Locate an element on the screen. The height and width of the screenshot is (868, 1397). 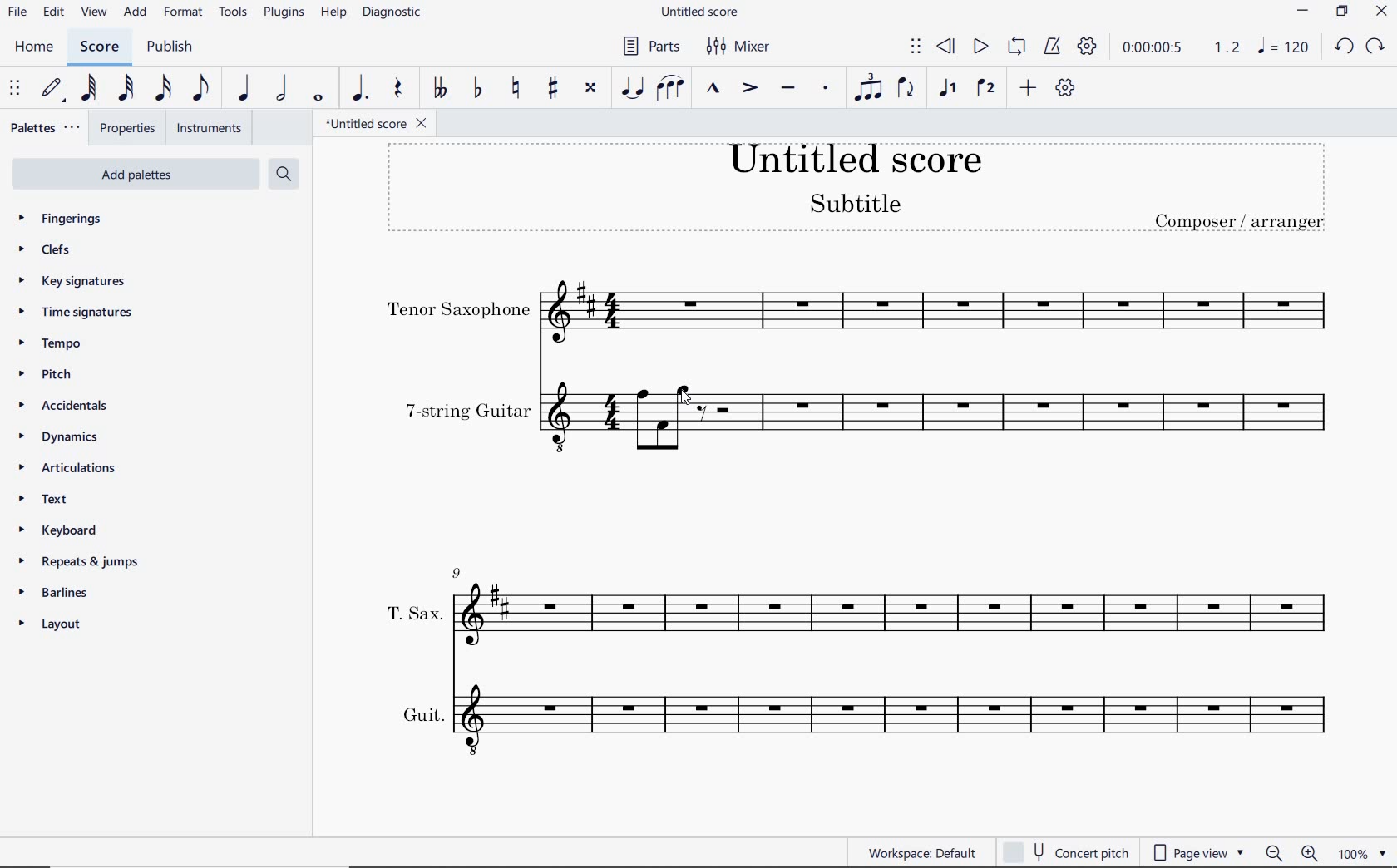
64TH NOTE is located at coordinates (88, 89).